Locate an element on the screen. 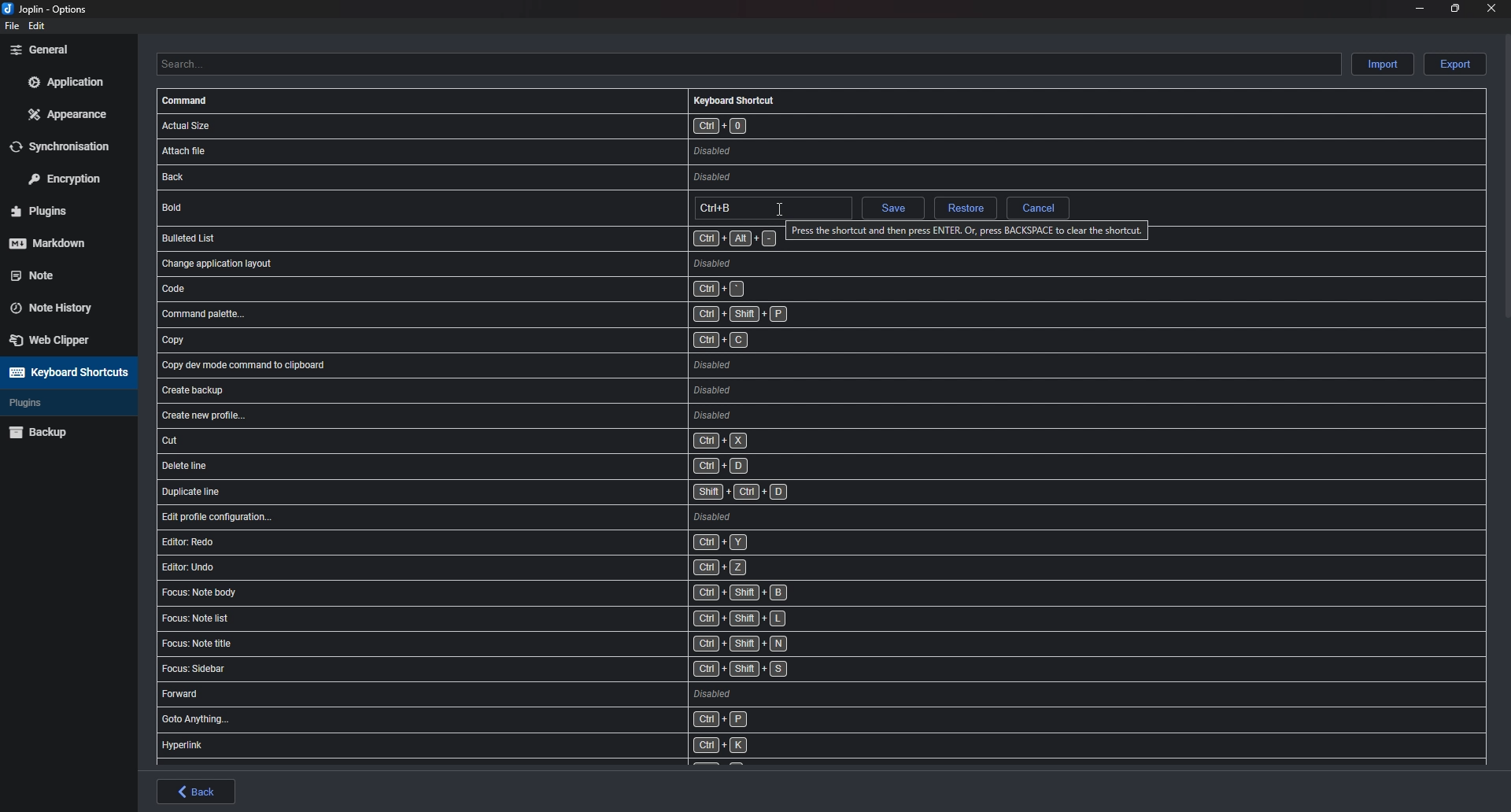  Tooltip is located at coordinates (970, 230).